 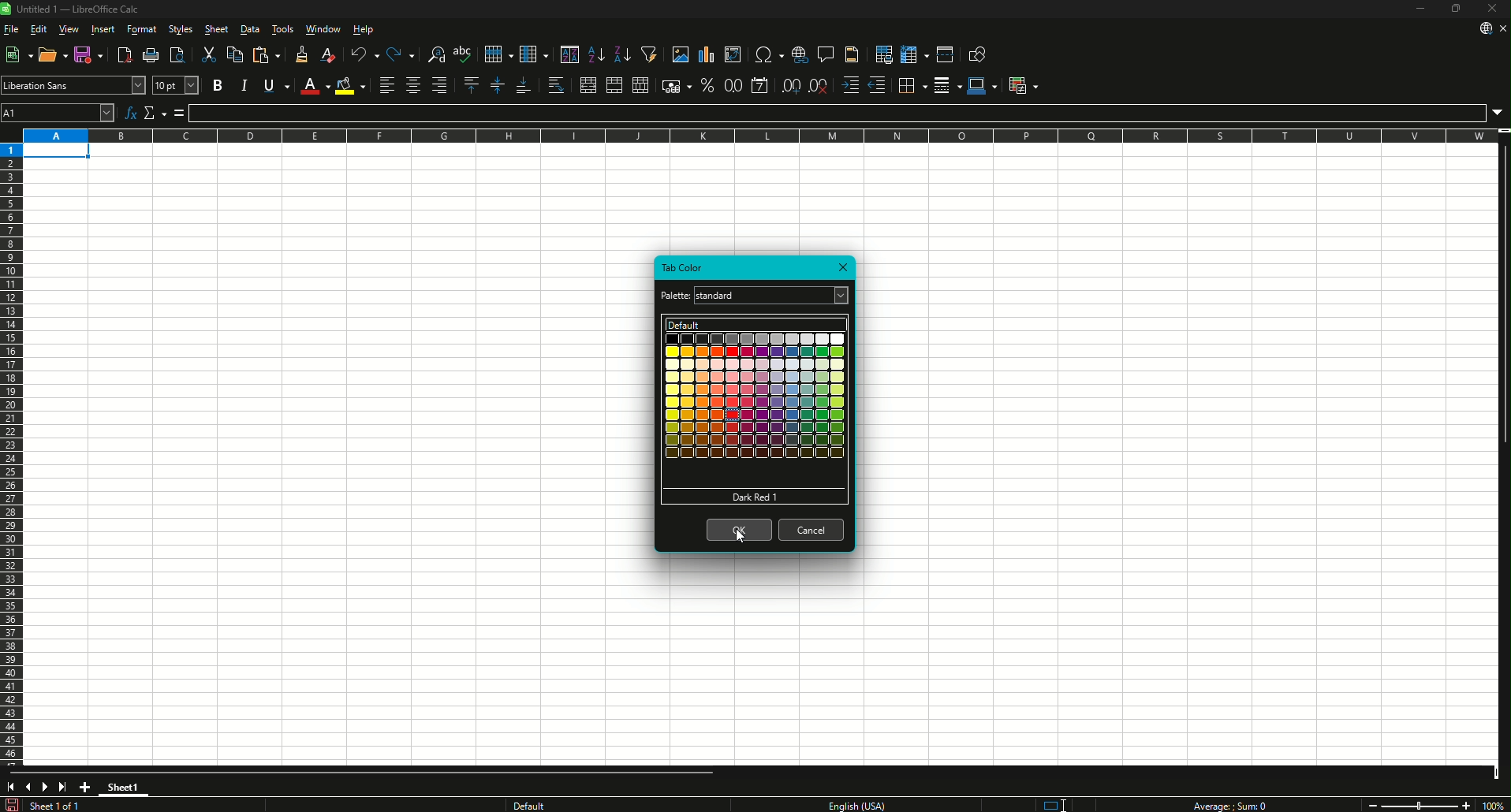 What do you see at coordinates (1054, 805) in the screenshot?
I see `Standard selection` at bounding box center [1054, 805].